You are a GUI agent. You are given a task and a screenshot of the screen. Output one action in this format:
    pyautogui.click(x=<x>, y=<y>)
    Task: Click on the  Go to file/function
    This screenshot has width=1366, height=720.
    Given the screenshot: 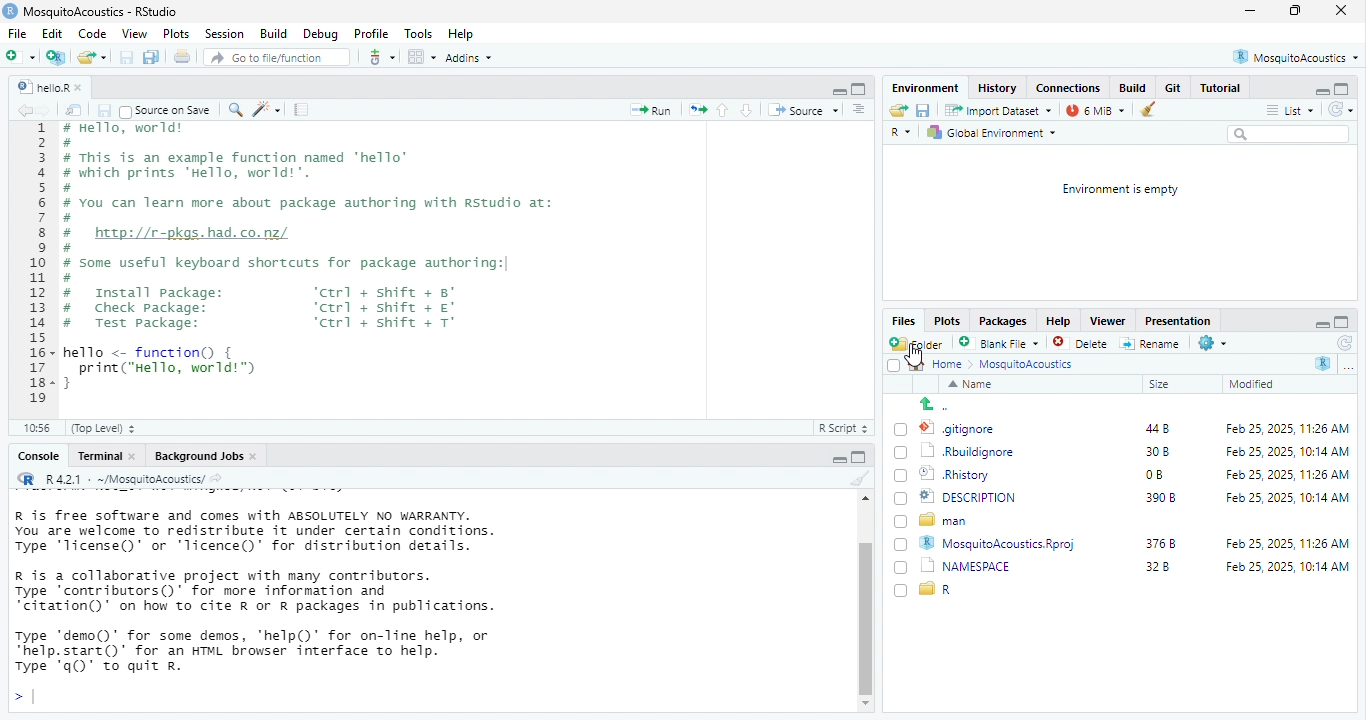 What is the action you would take?
    pyautogui.click(x=276, y=58)
    